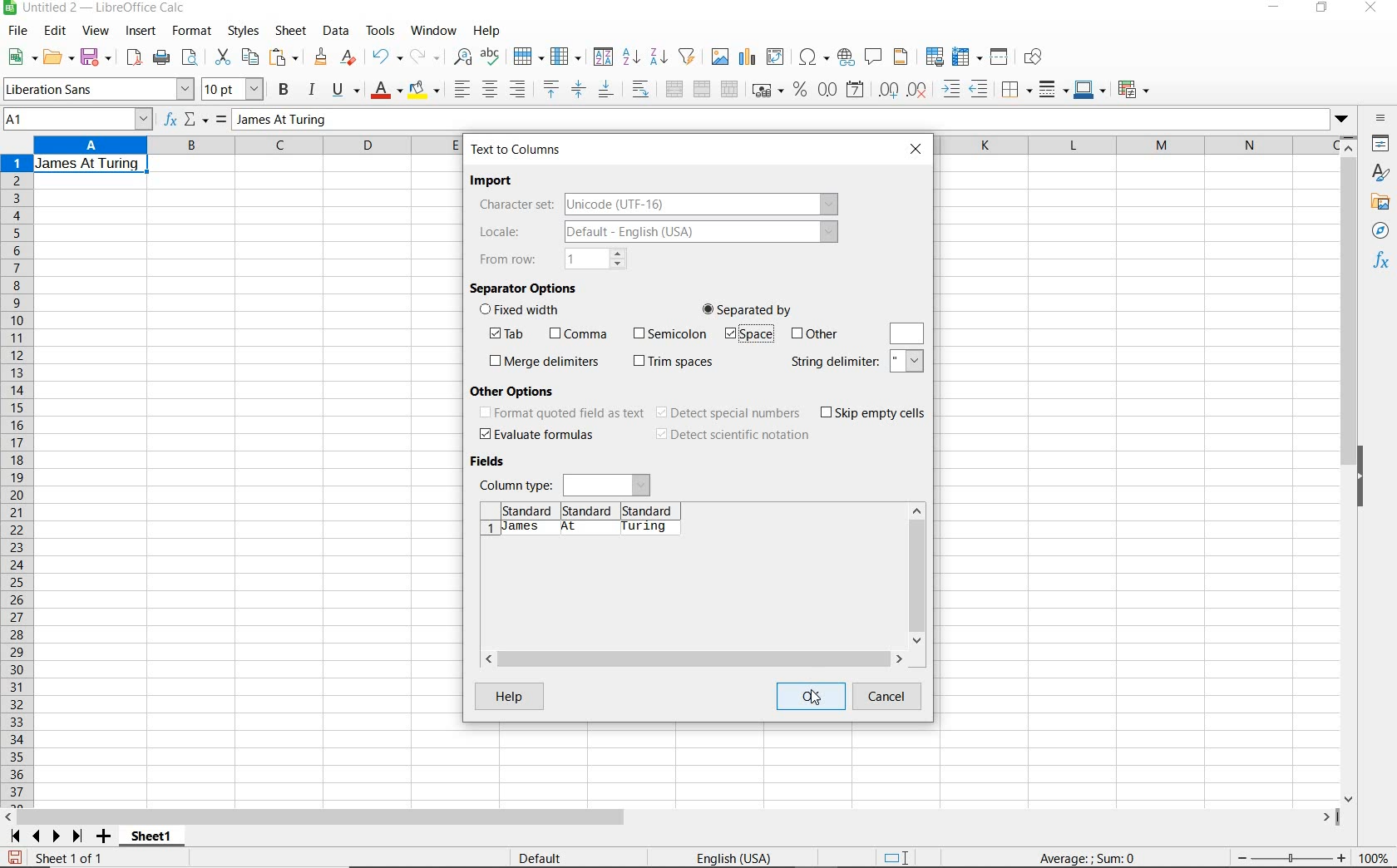 This screenshot has width=1397, height=868. What do you see at coordinates (292, 31) in the screenshot?
I see `sheet` at bounding box center [292, 31].